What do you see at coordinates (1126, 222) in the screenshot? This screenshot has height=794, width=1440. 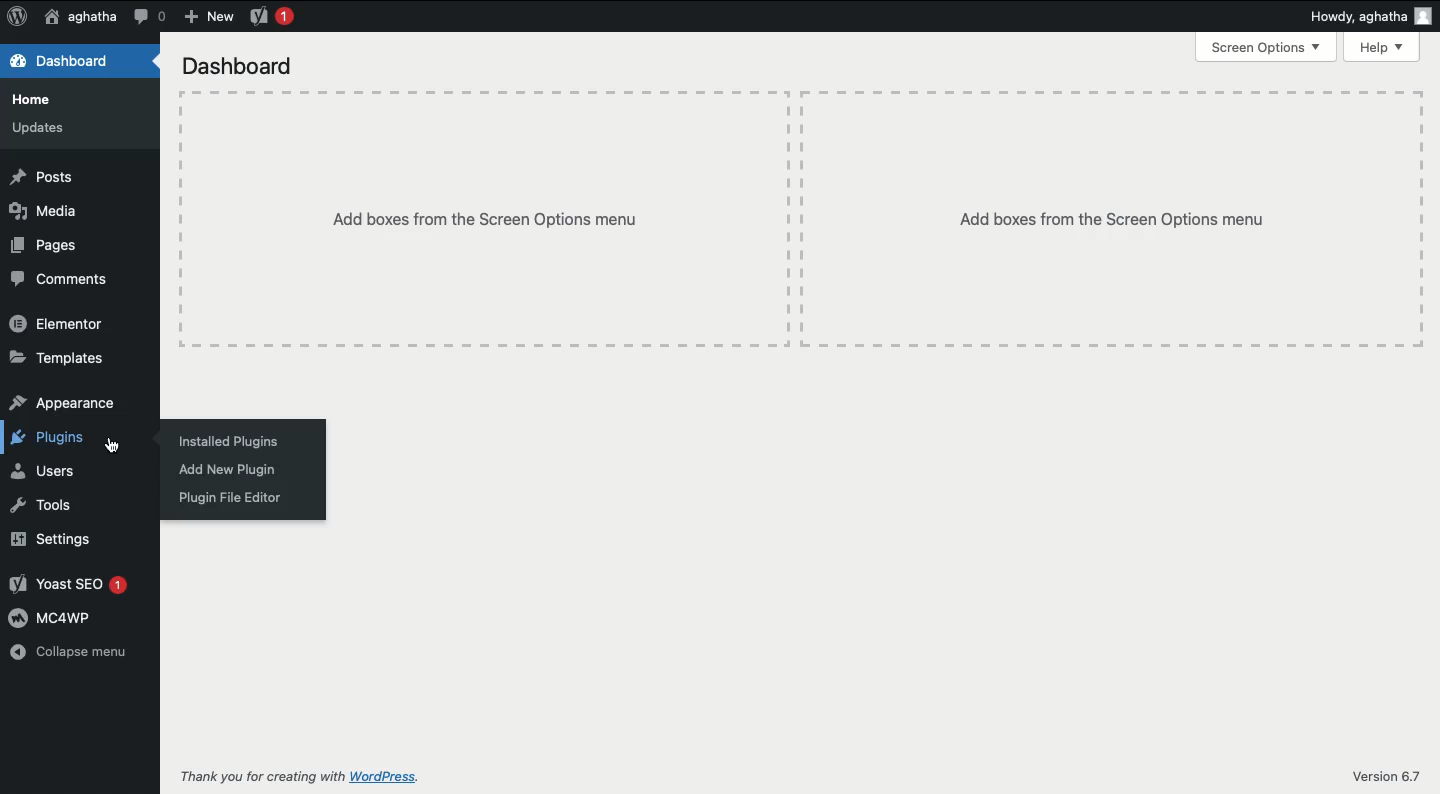 I see `Add boxes from the Screen Options menu` at bounding box center [1126, 222].